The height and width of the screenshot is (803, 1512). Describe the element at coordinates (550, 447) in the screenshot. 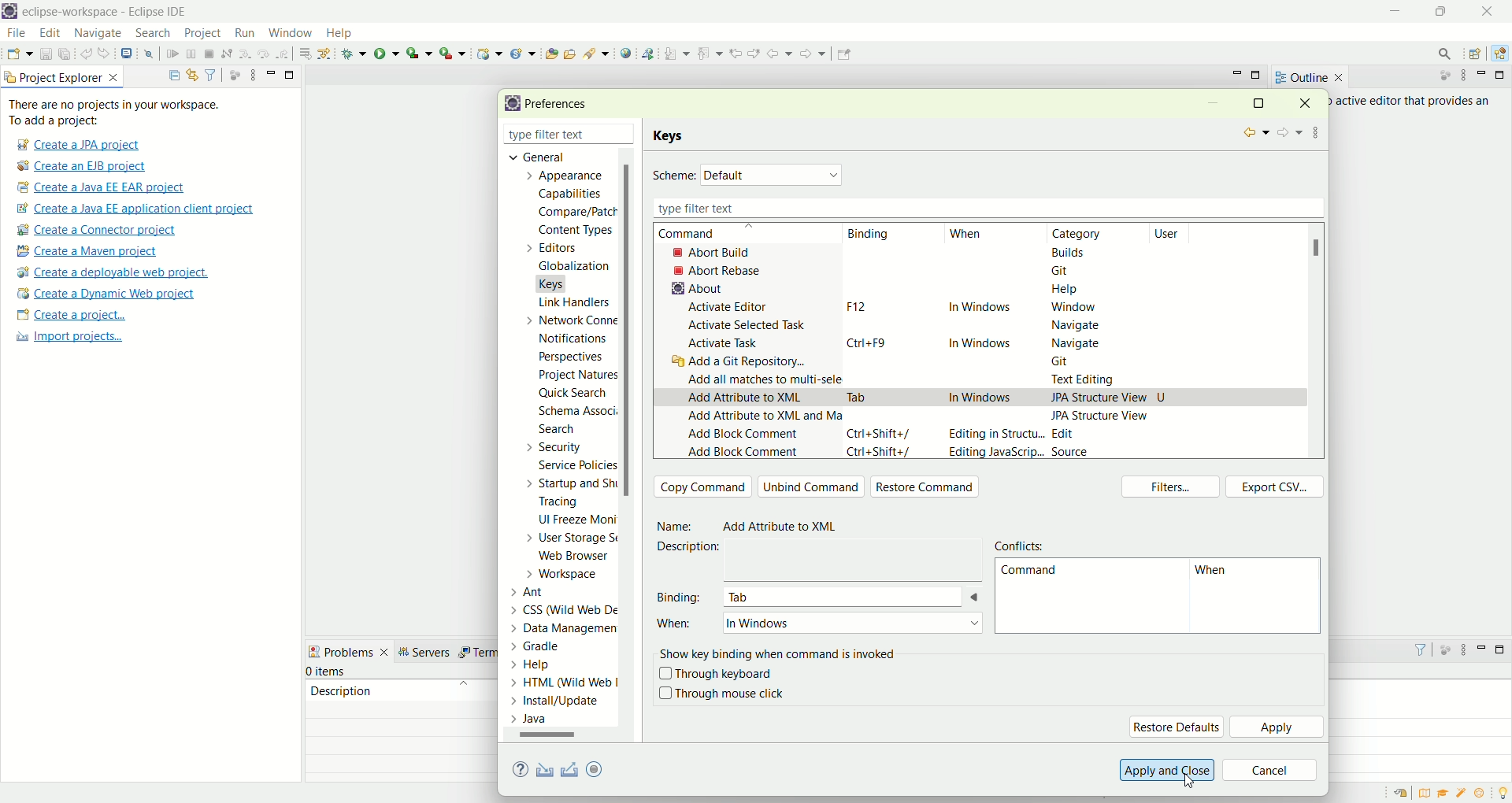

I see `security` at that location.